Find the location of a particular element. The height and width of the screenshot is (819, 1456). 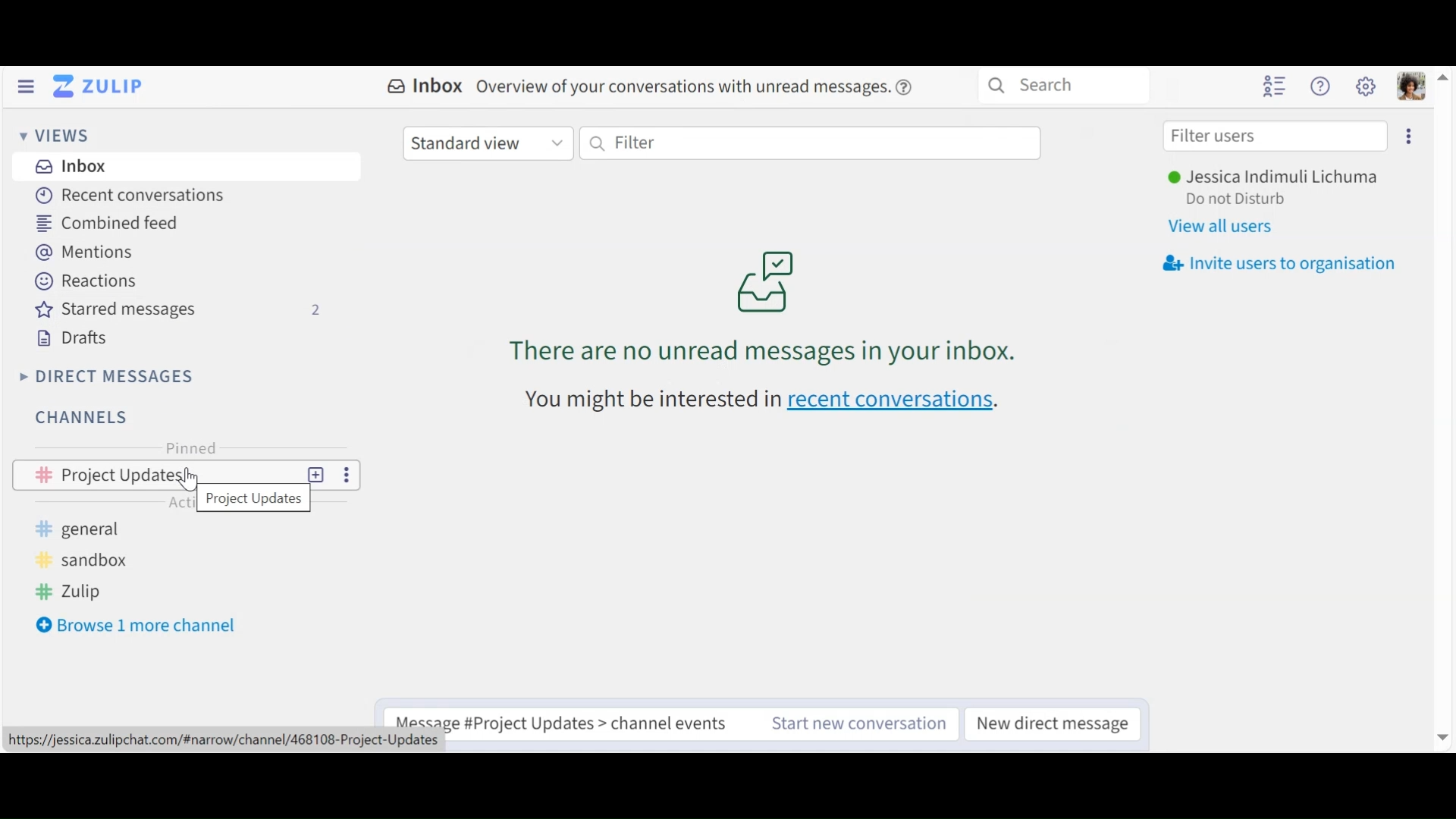

Search is located at coordinates (1044, 86).